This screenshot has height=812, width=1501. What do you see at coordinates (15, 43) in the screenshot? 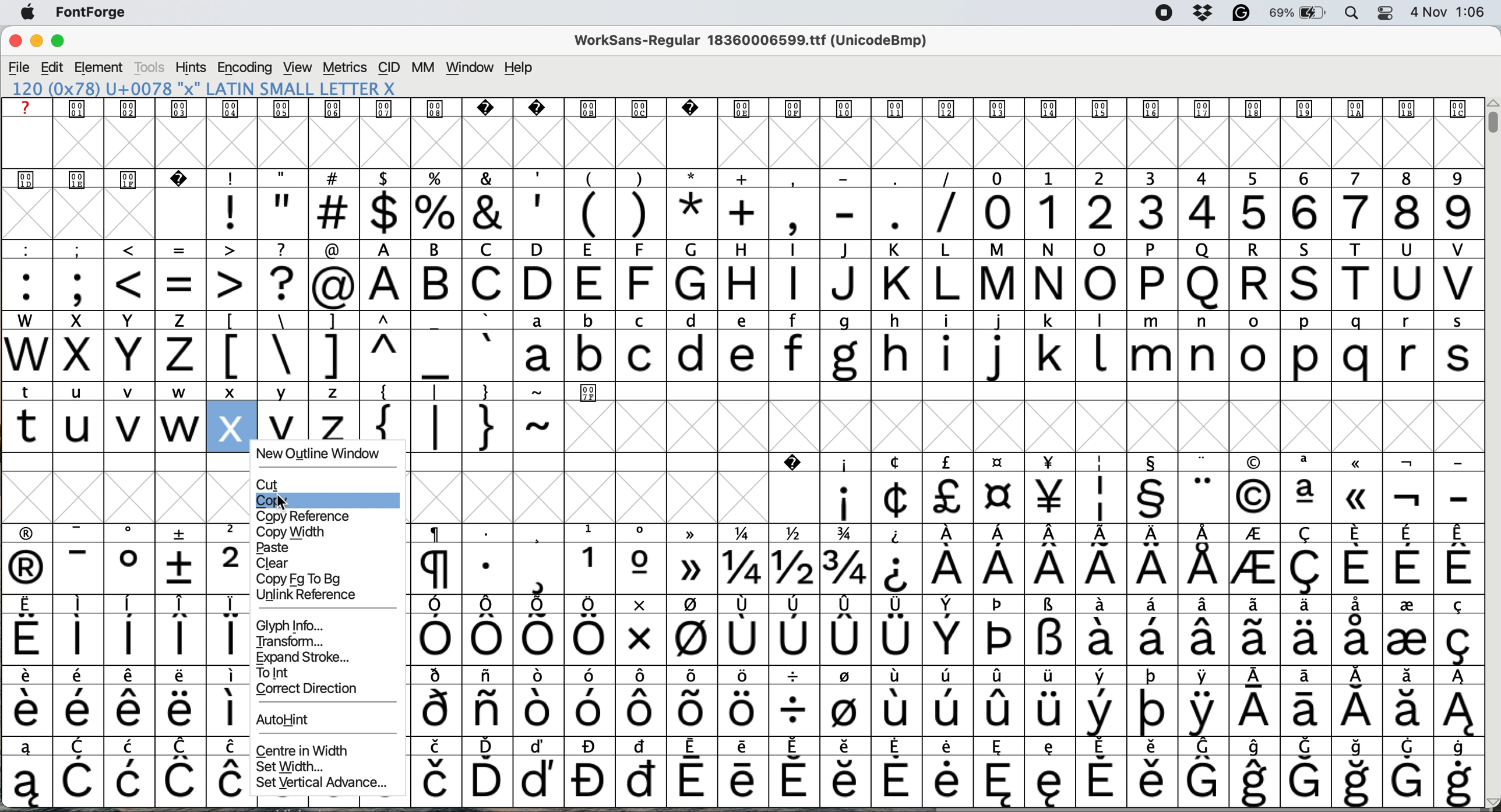
I see `close` at bounding box center [15, 43].